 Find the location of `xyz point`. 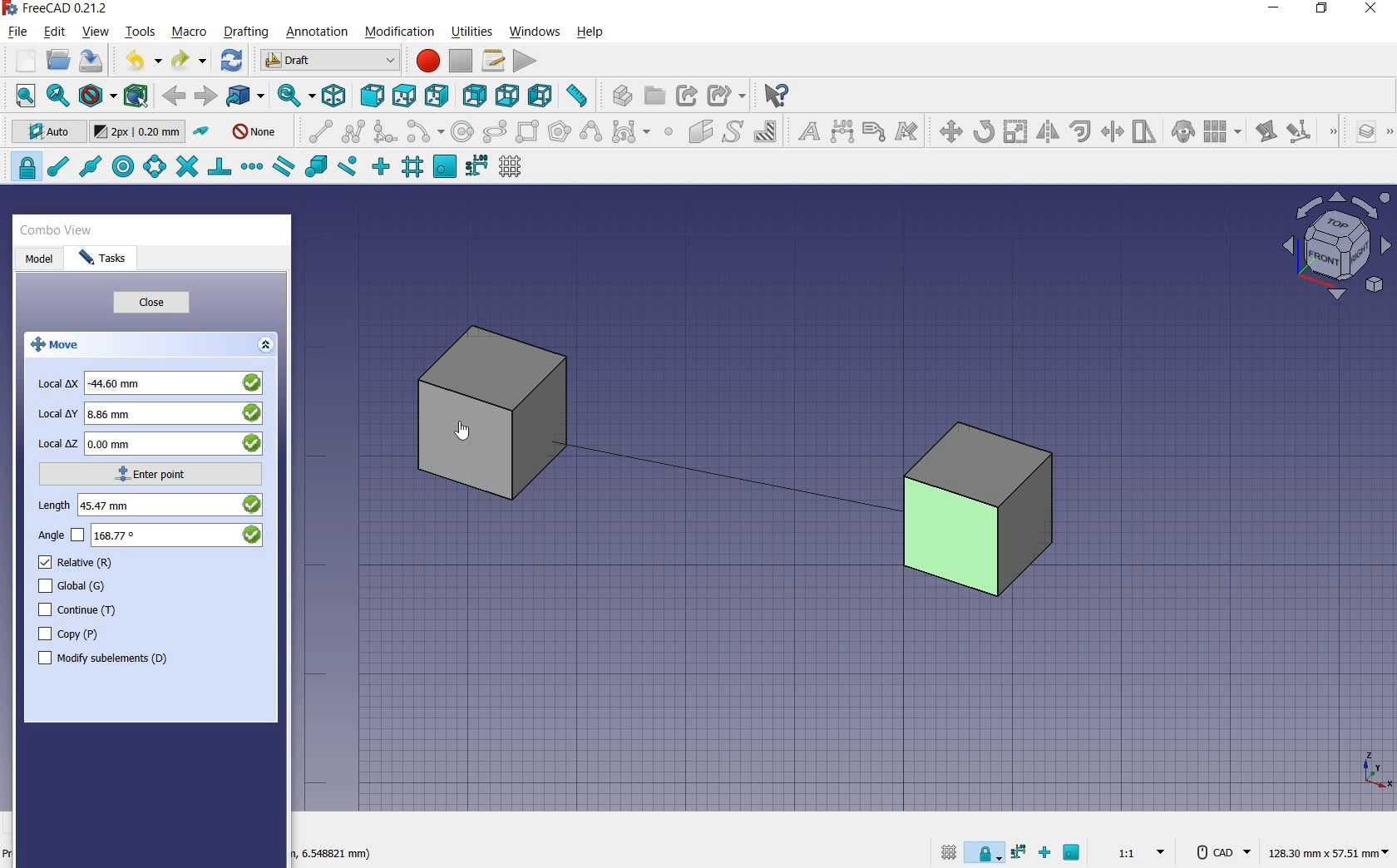

xyz point is located at coordinates (1376, 771).